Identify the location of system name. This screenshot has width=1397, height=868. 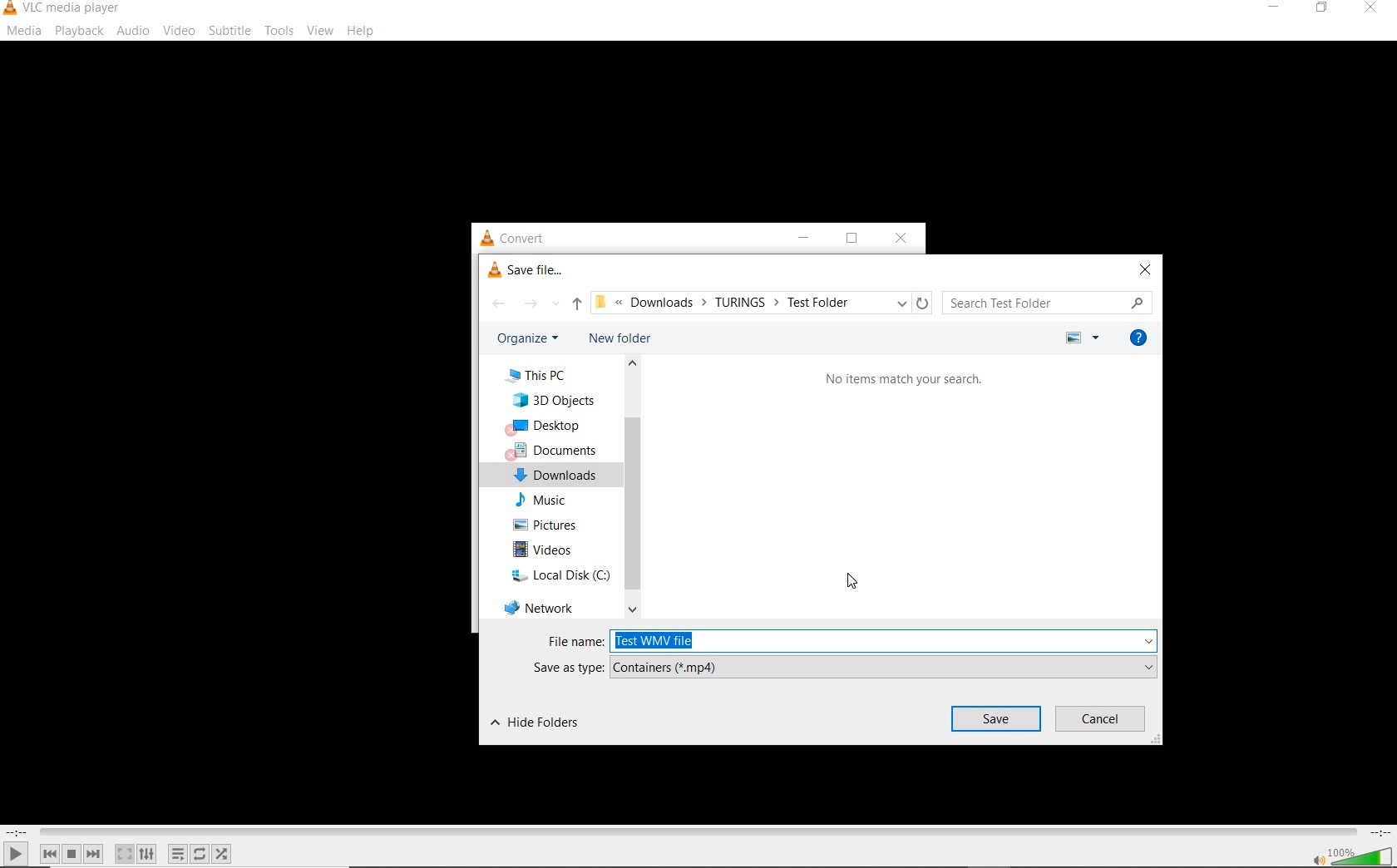
(63, 9).